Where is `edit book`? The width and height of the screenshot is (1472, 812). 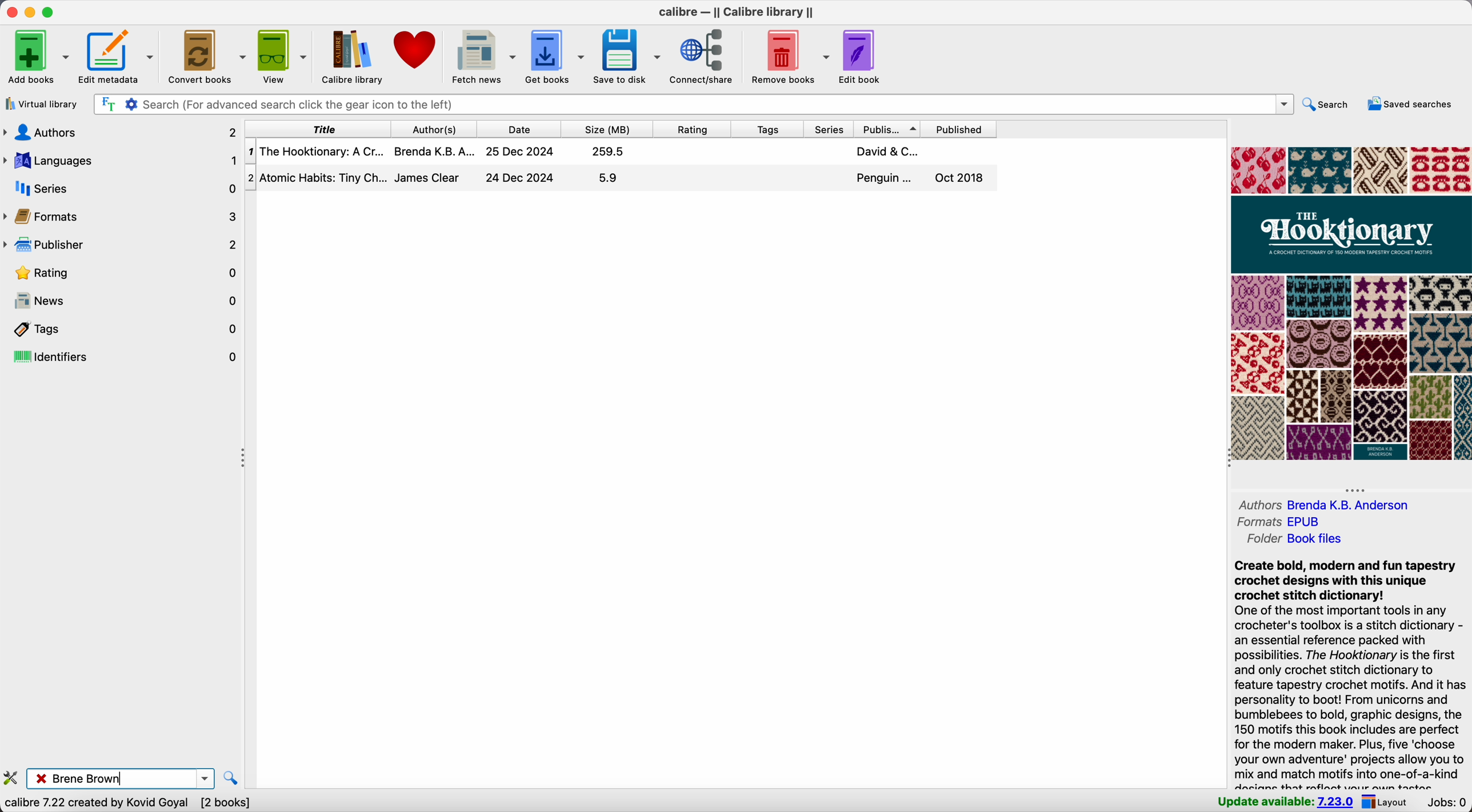
edit book is located at coordinates (865, 57).